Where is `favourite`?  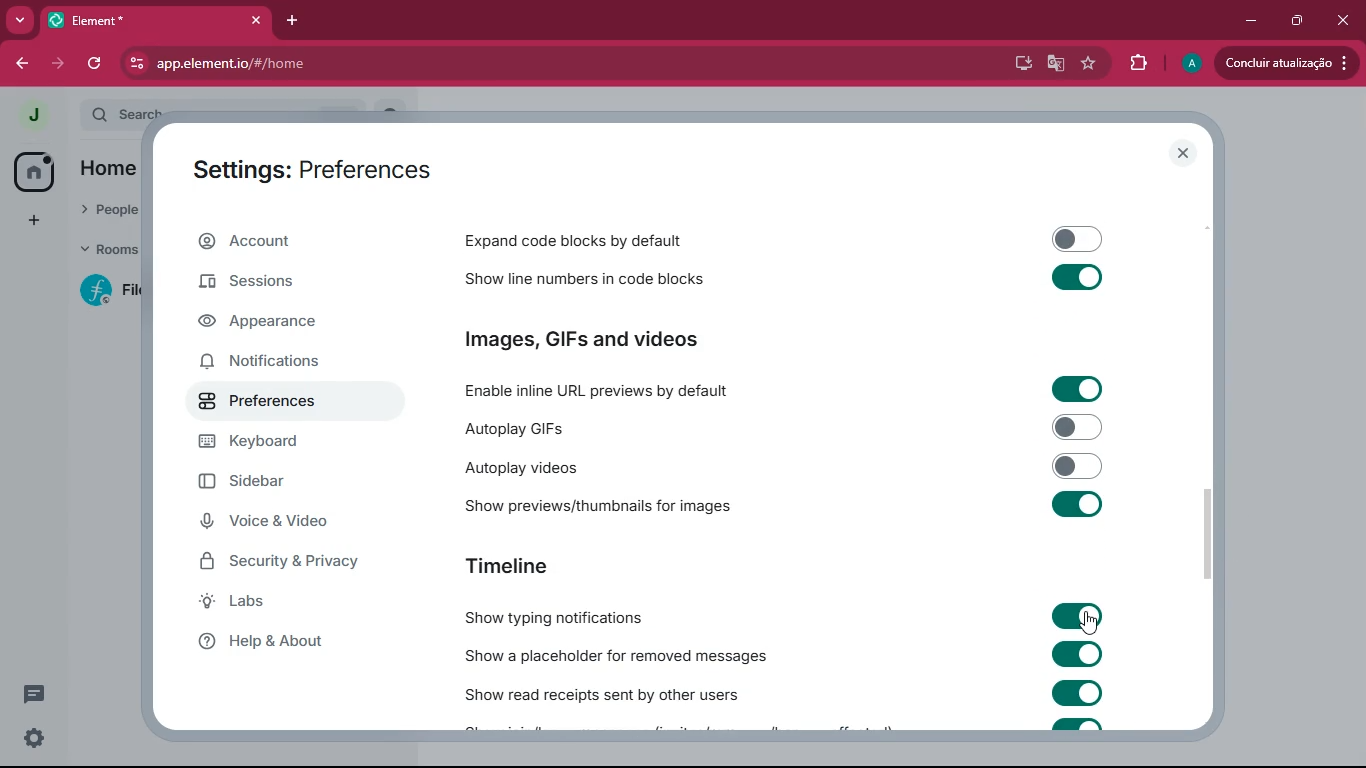
favourite is located at coordinates (1089, 63).